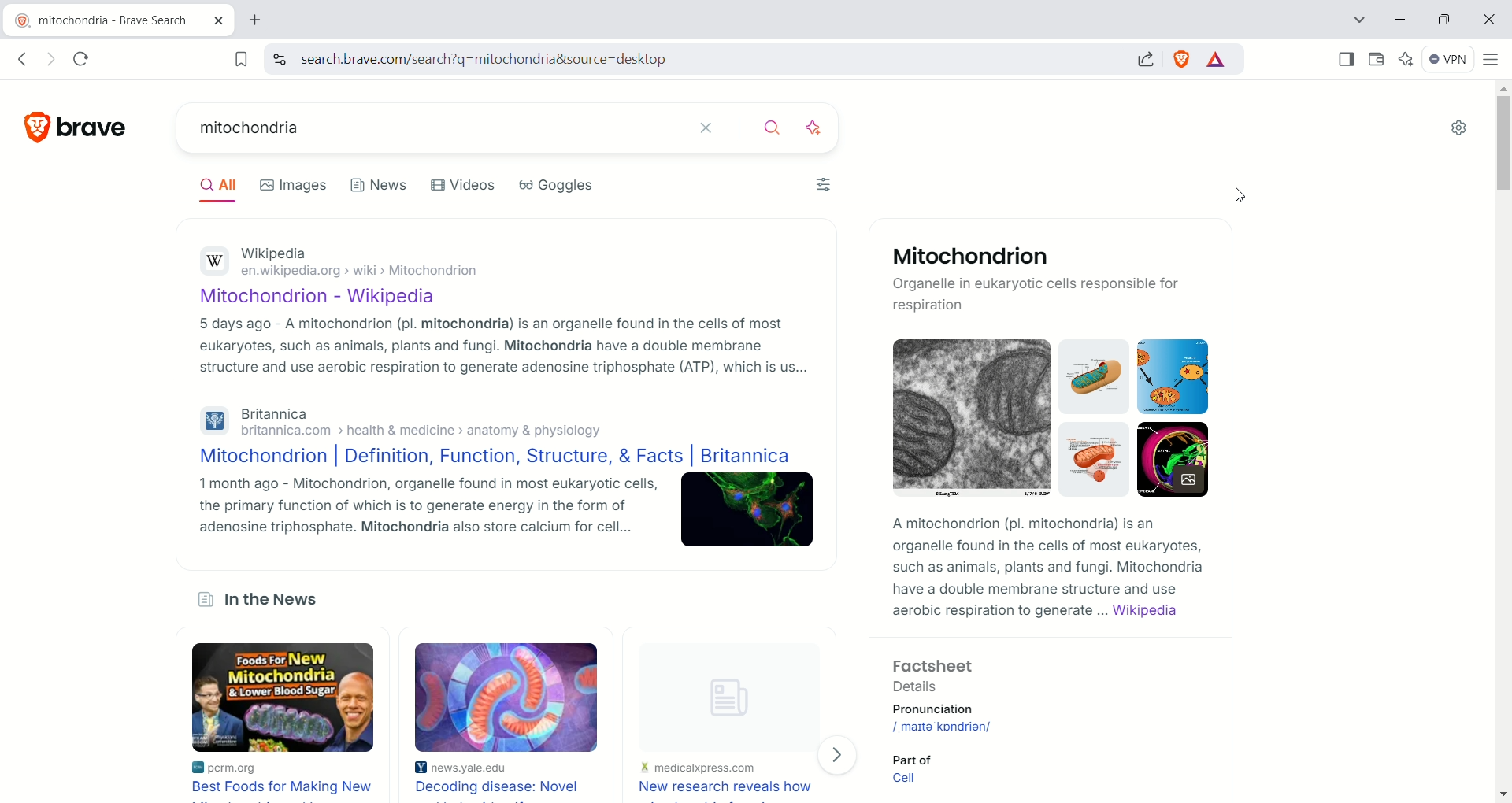 Image resolution: width=1512 pixels, height=803 pixels. Describe the element at coordinates (117, 20) in the screenshot. I see `mitochondria - brave search` at that location.